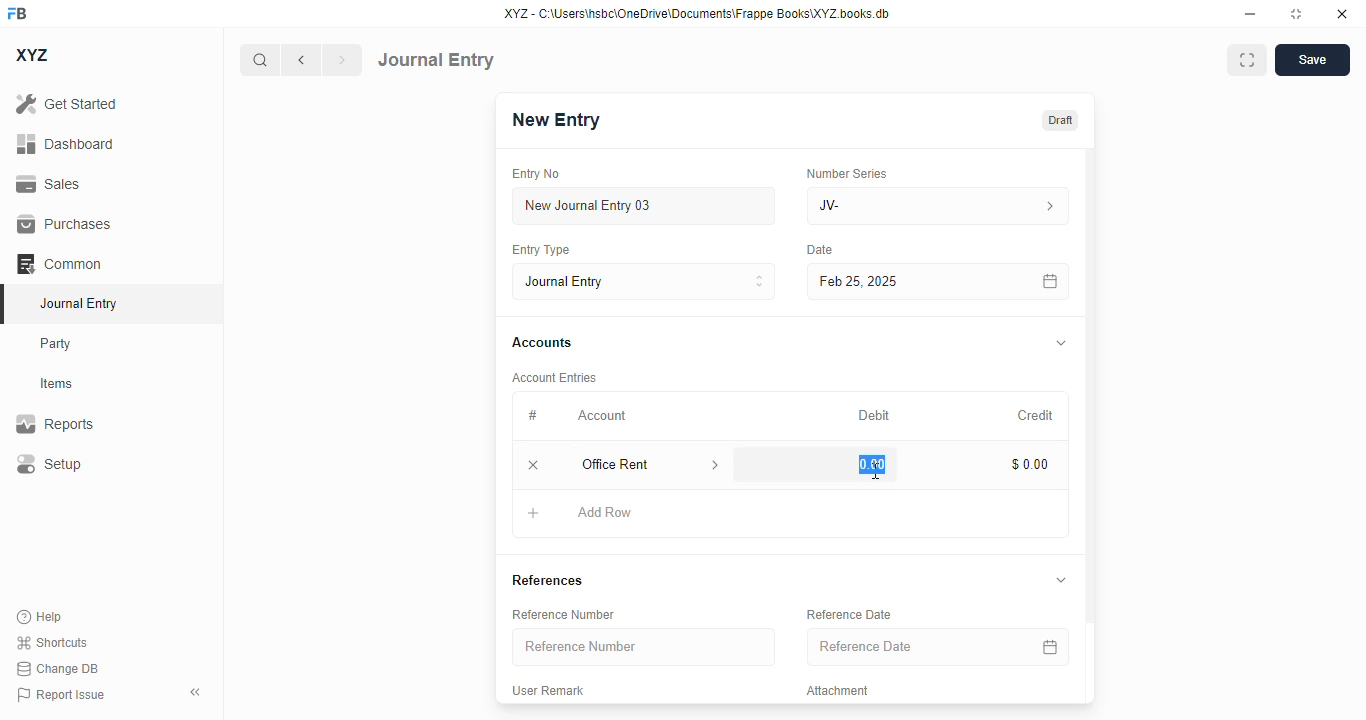 The image size is (1366, 720). What do you see at coordinates (875, 417) in the screenshot?
I see `debit` at bounding box center [875, 417].